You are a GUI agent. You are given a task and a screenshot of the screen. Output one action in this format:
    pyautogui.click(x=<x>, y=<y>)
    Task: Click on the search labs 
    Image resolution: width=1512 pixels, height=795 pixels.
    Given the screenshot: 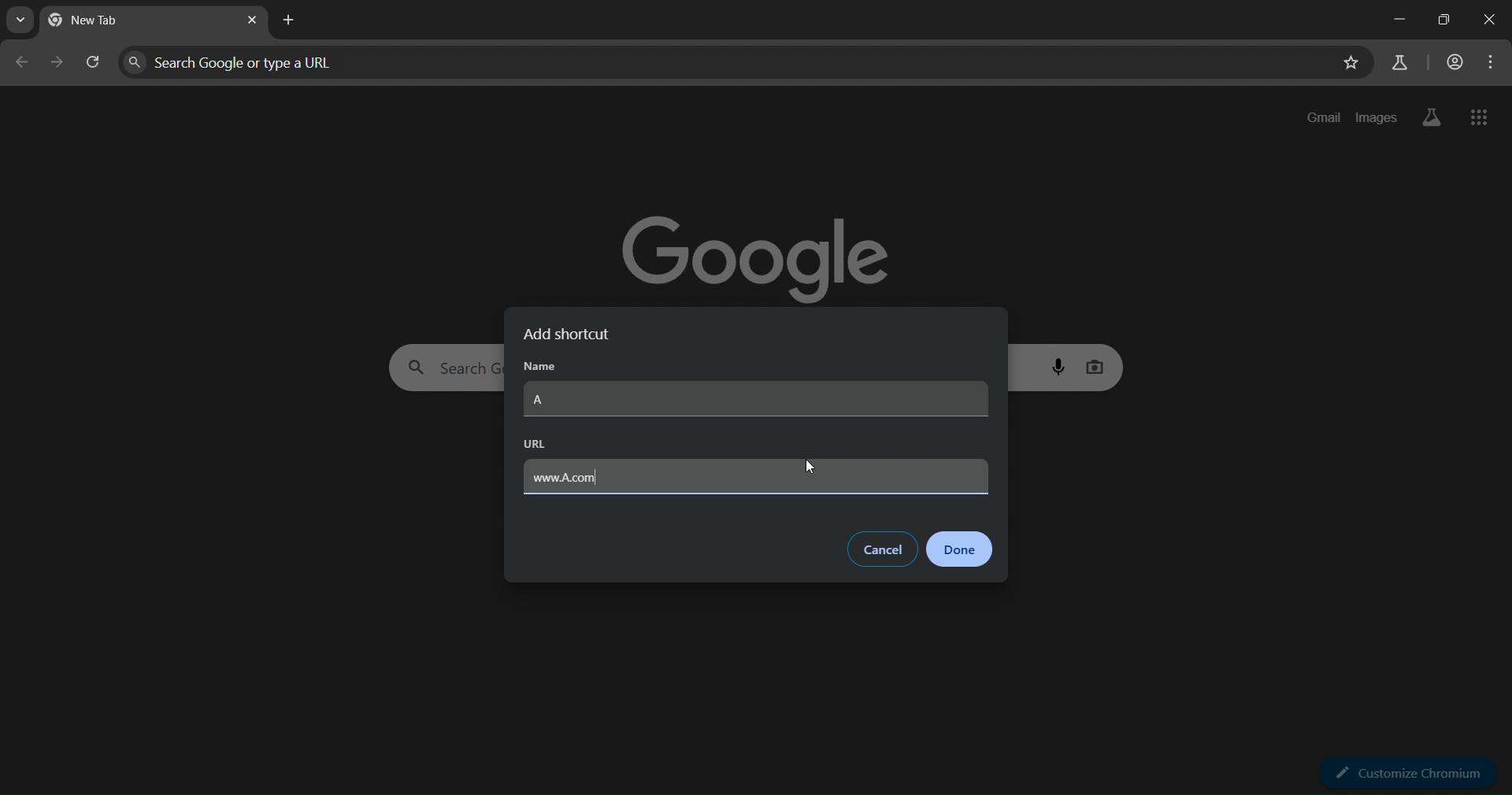 What is the action you would take?
    pyautogui.click(x=1428, y=117)
    